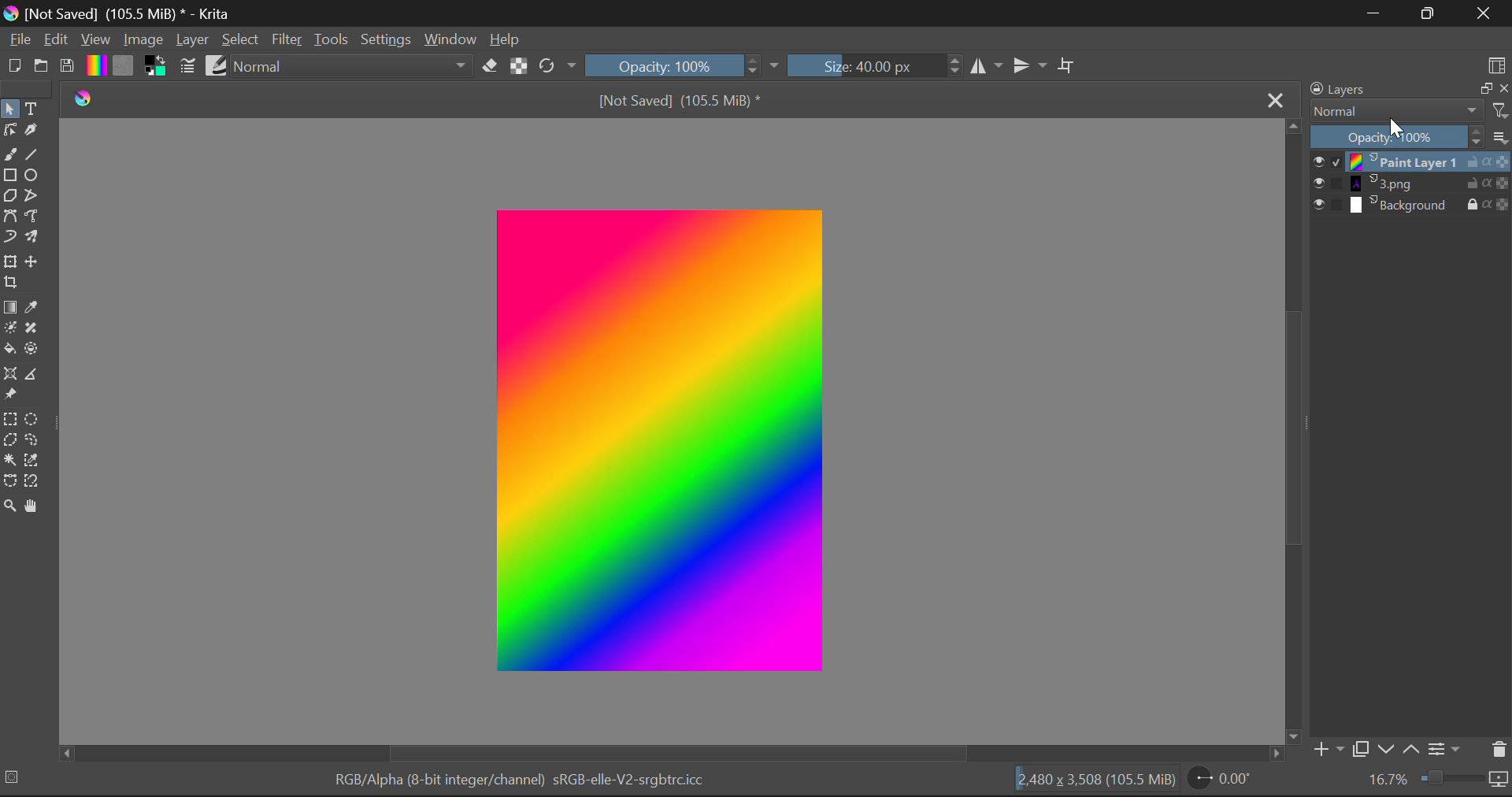 This screenshot has height=797, width=1512. What do you see at coordinates (673, 752) in the screenshot?
I see `Scroll Bar` at bounding box center [673, 752].